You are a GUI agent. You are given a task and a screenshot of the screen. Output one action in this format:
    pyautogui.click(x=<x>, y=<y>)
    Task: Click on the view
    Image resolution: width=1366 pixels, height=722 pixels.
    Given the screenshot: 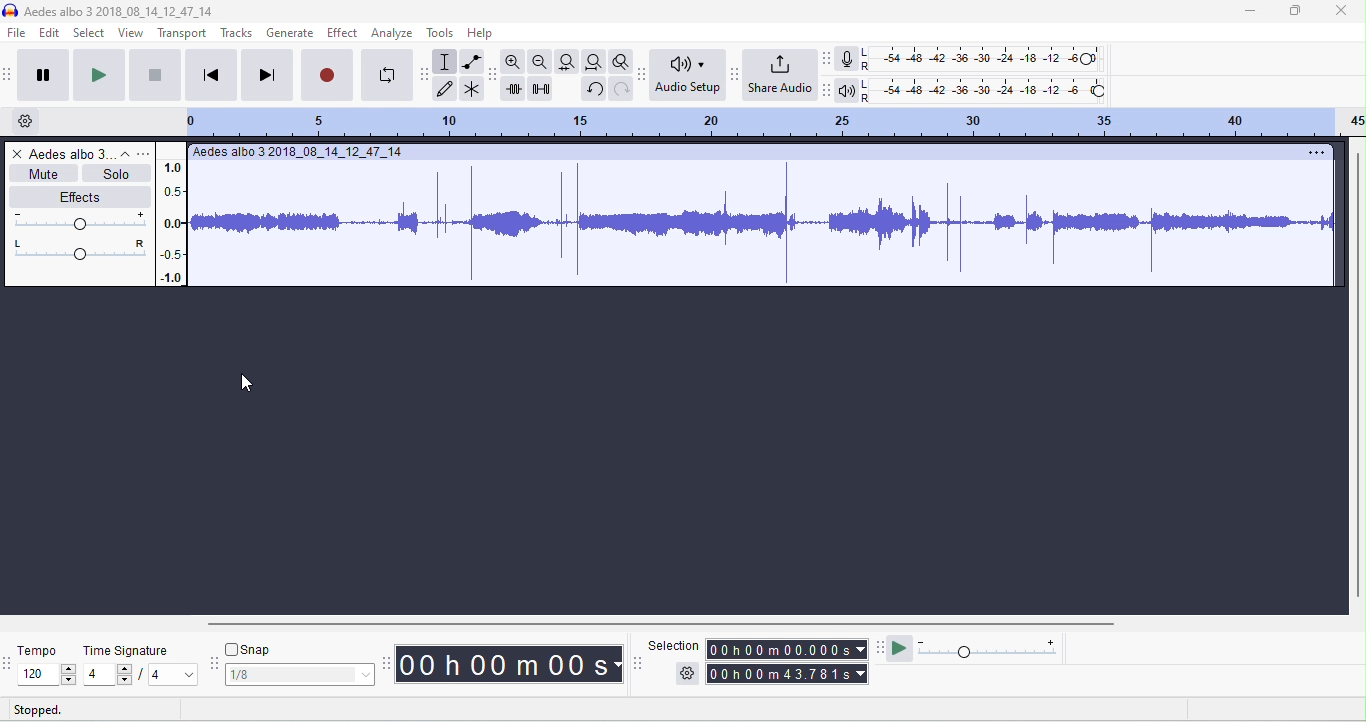 What is the action you would take?
    pyautogui.click(x=131, y=33)
    